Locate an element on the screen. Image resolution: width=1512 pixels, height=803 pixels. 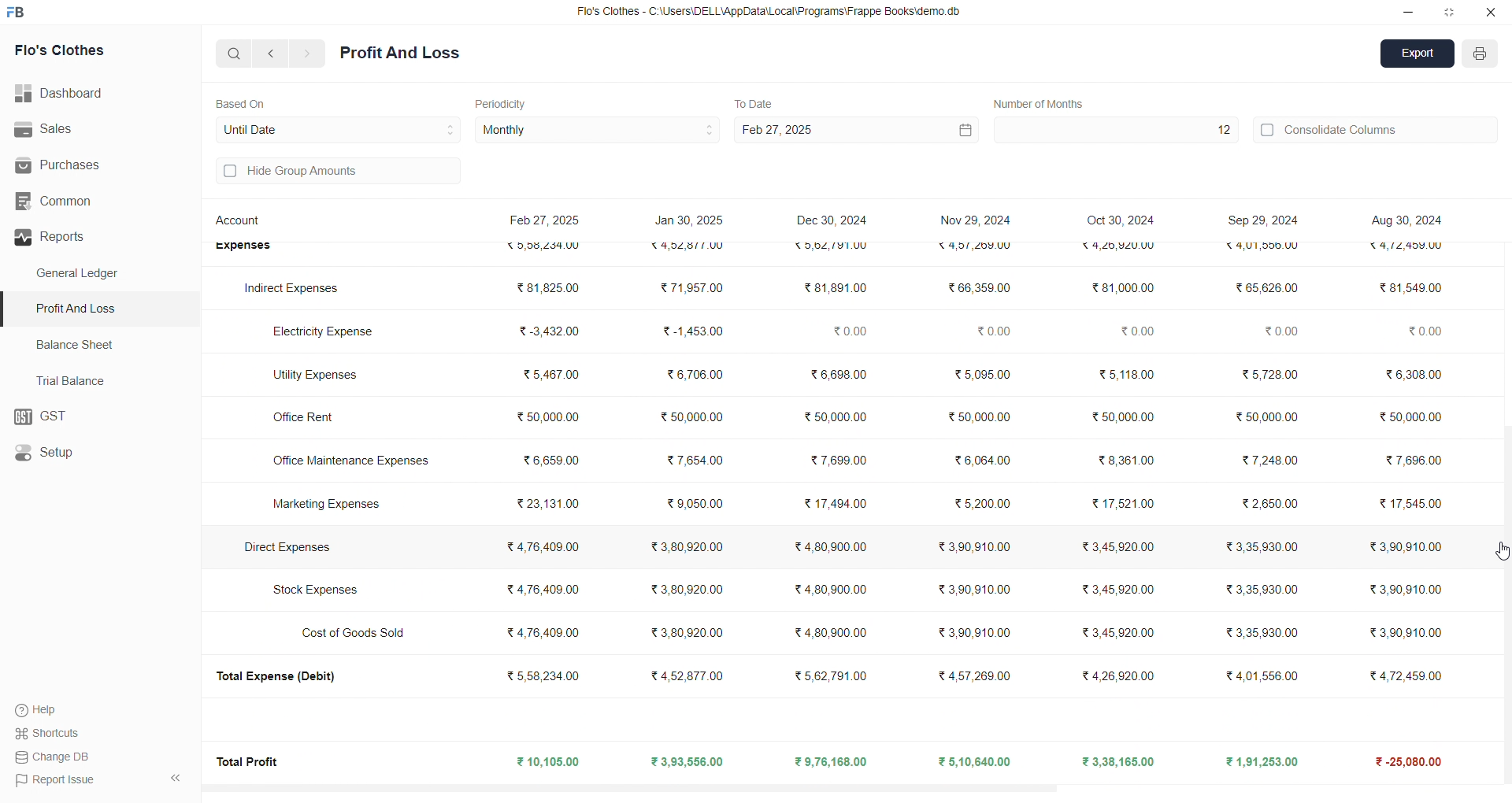
Until Date is located at coordinates (339, 128).